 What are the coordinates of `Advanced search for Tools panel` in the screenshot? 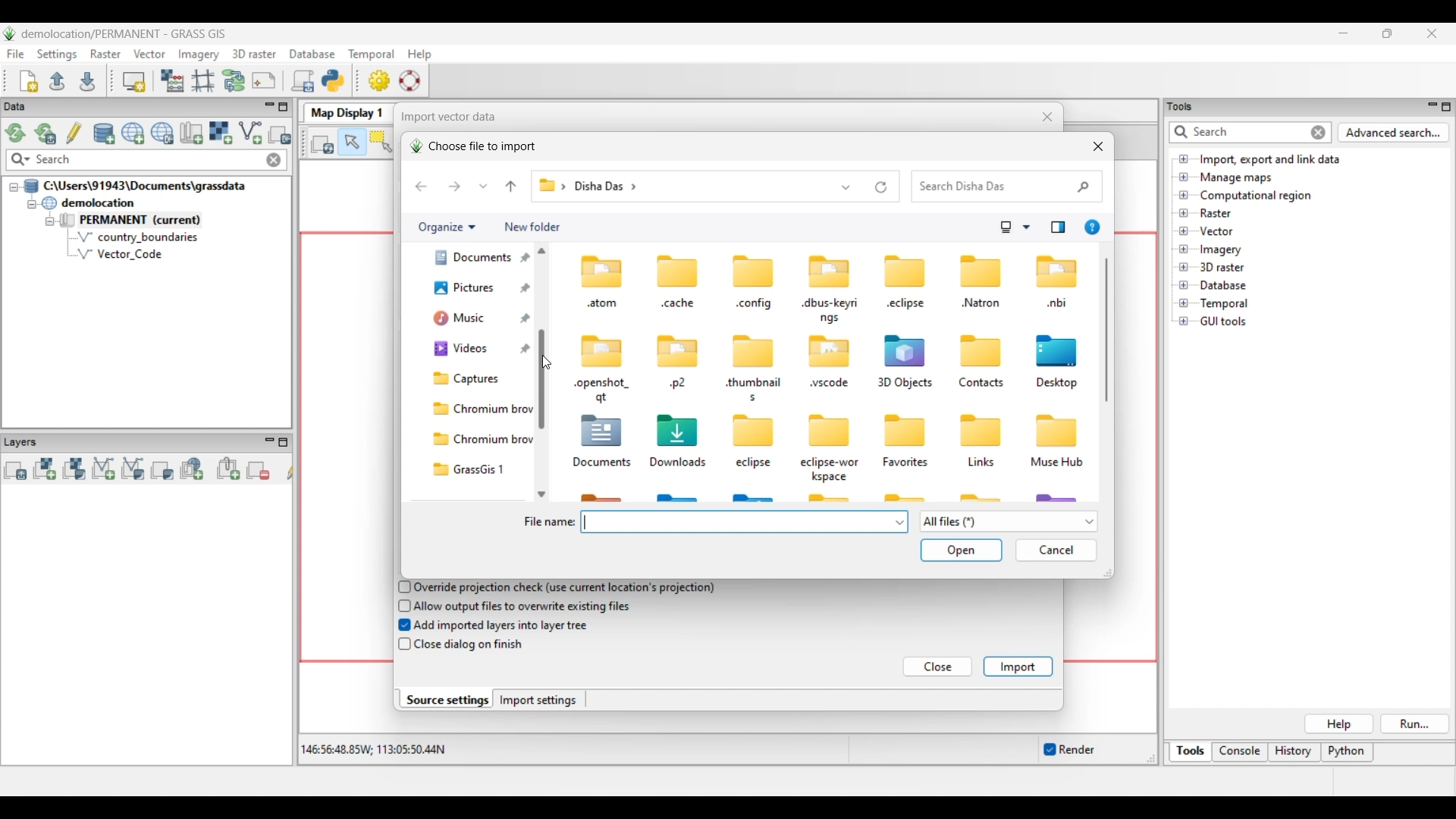 It's located at (1394, 133).